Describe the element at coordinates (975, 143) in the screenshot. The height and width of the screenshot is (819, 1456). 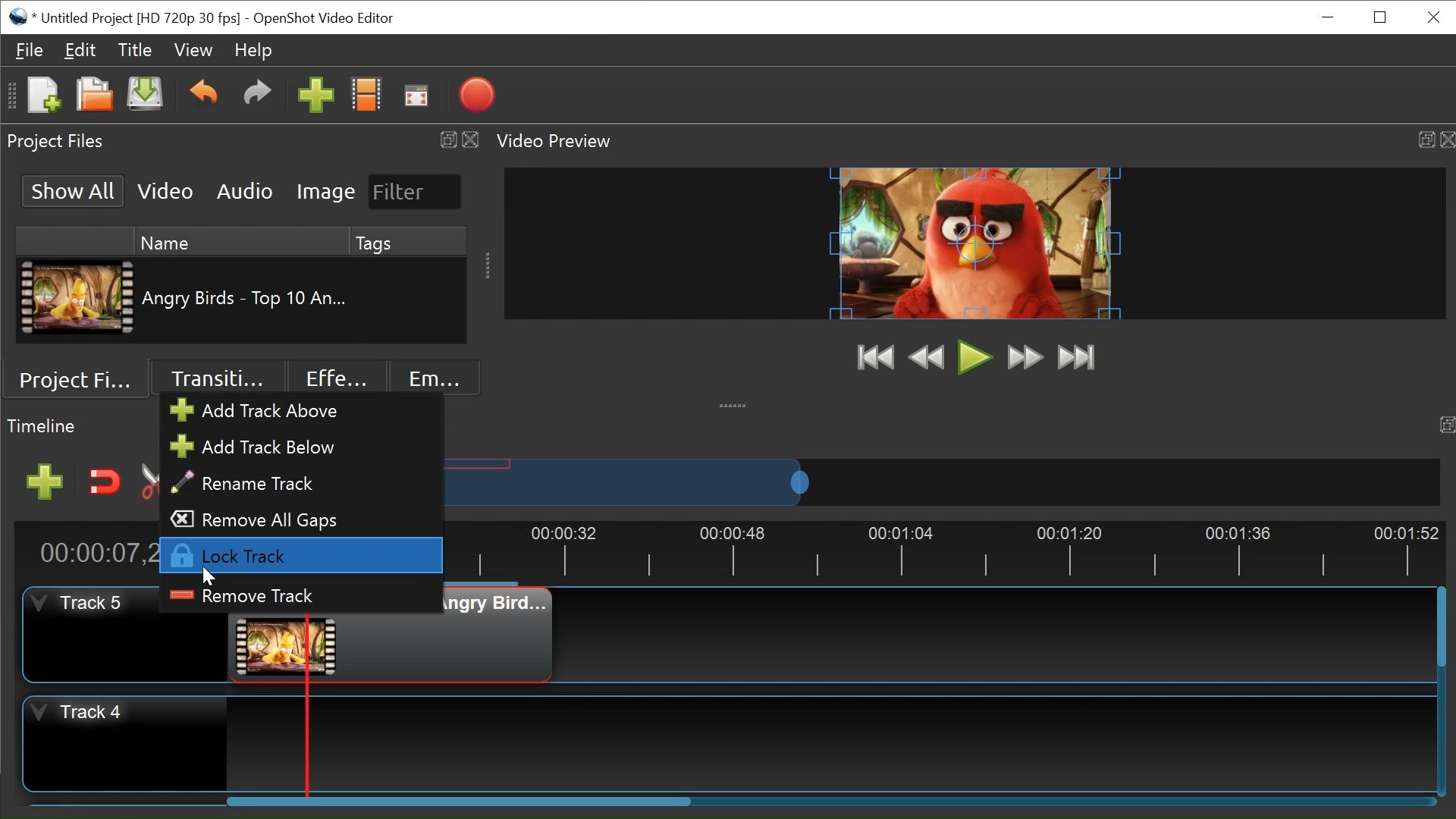
I see `Video Preview` at that location.